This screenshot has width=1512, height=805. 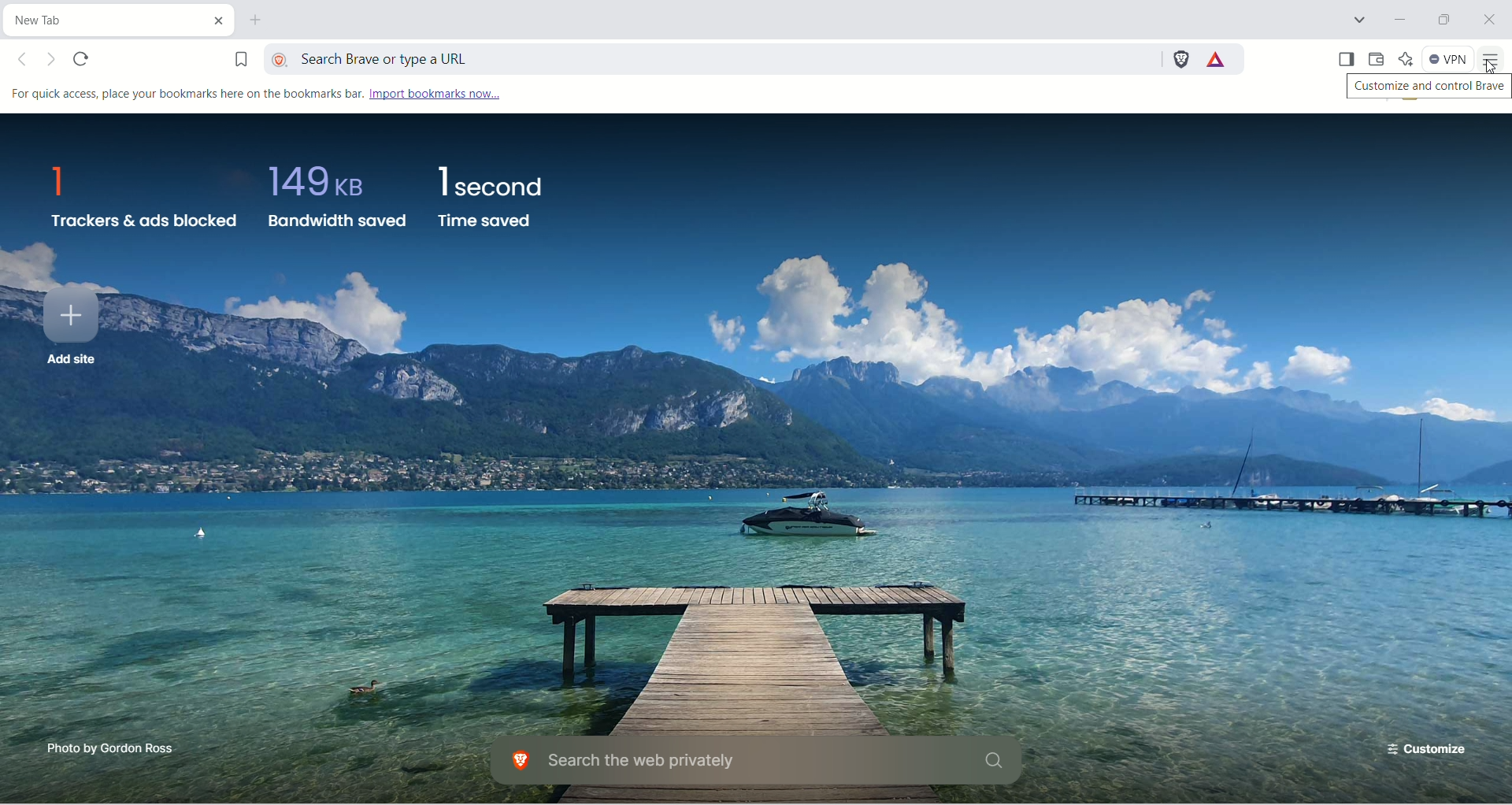 I want to click on time saved, so click(x=491, y=195).